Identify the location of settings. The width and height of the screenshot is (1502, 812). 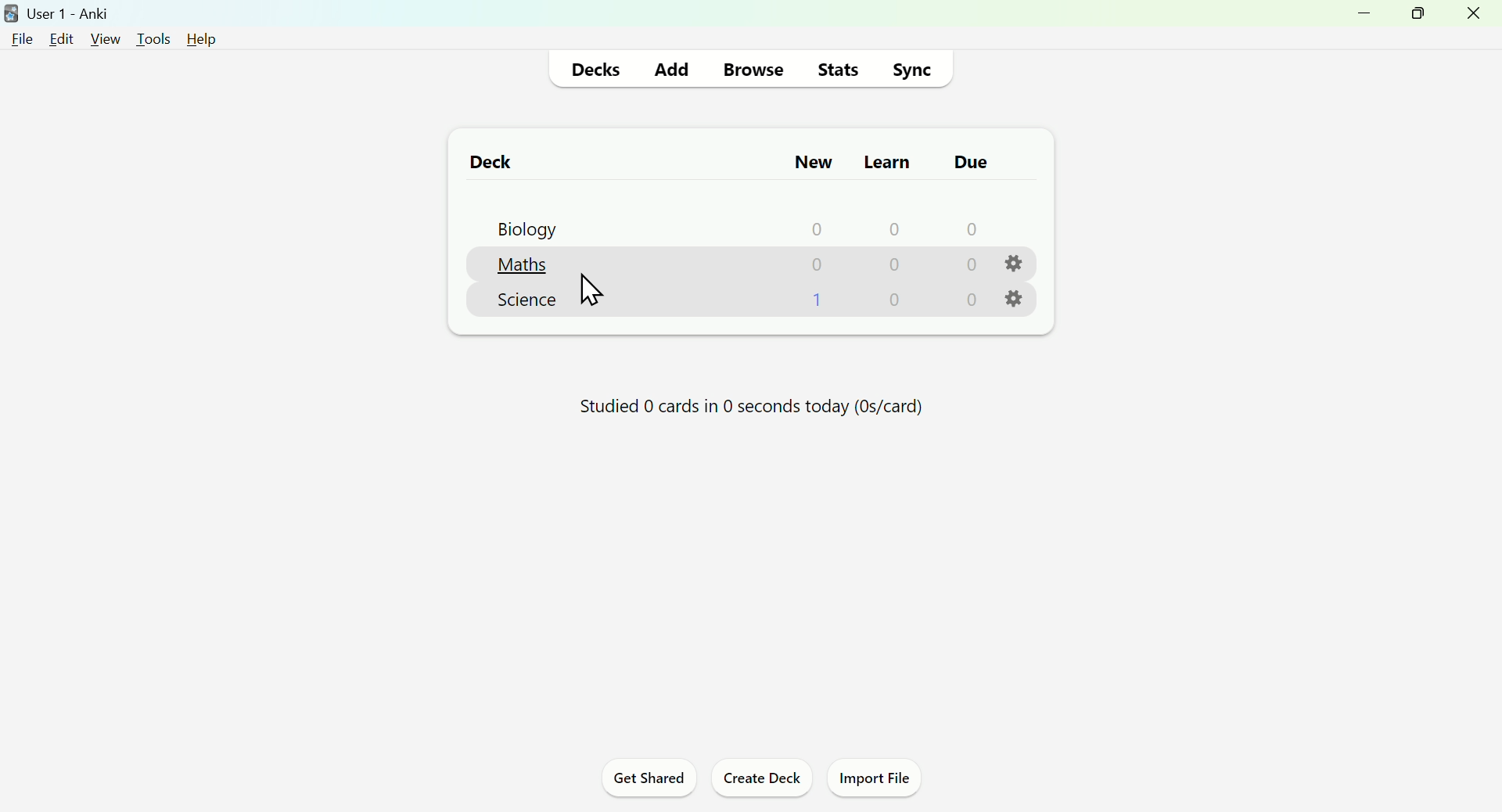
(1012, 297).